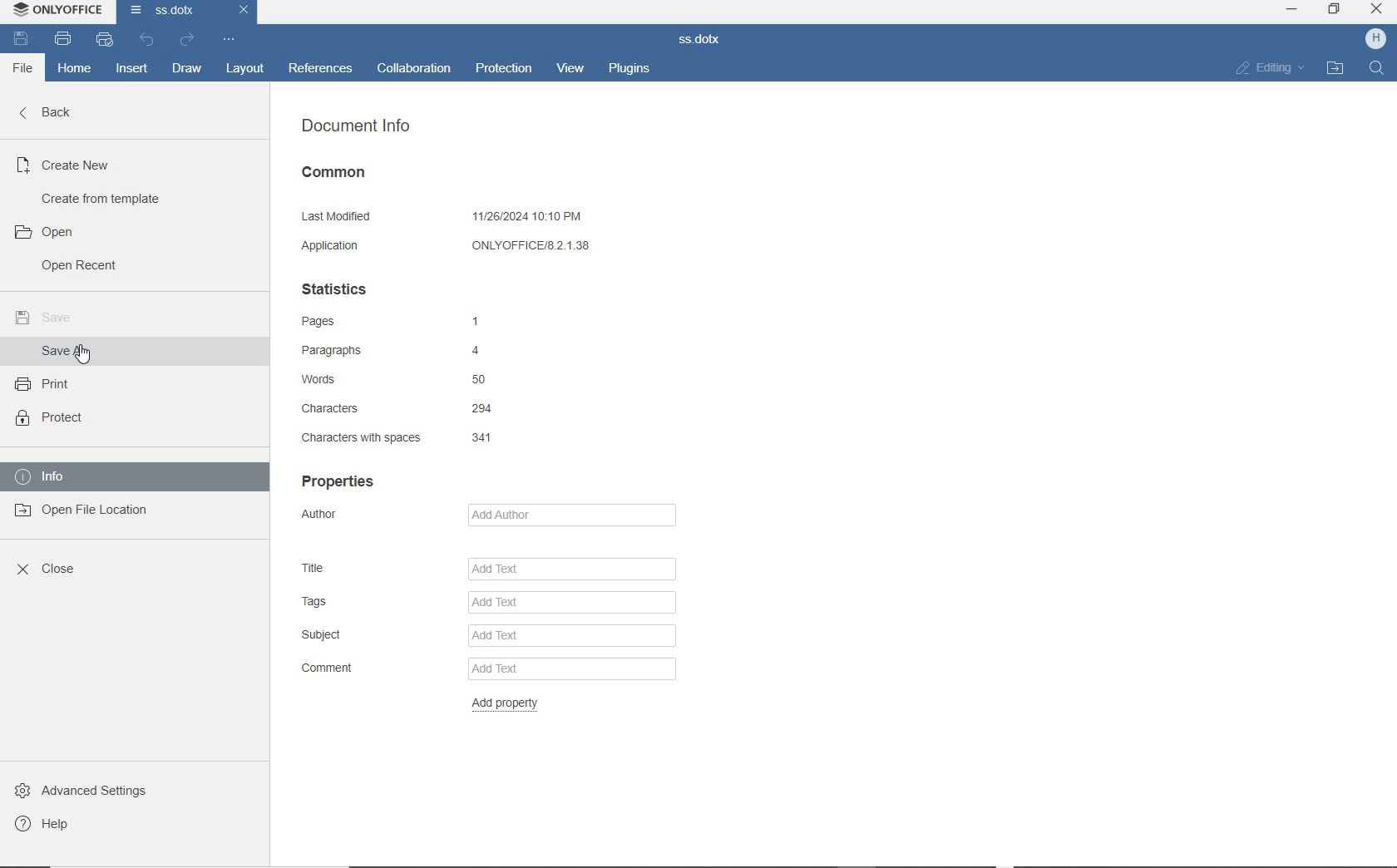 This screenshot has width=1397, height=868. I want to click on close, so click(245, 10).